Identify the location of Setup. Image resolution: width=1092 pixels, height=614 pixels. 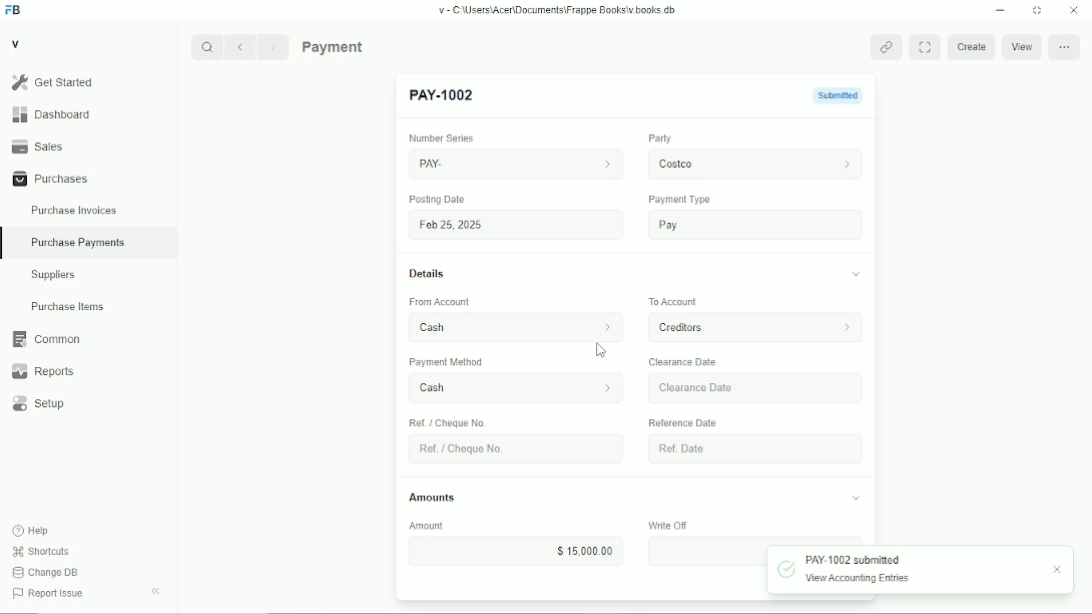
(89, 403).